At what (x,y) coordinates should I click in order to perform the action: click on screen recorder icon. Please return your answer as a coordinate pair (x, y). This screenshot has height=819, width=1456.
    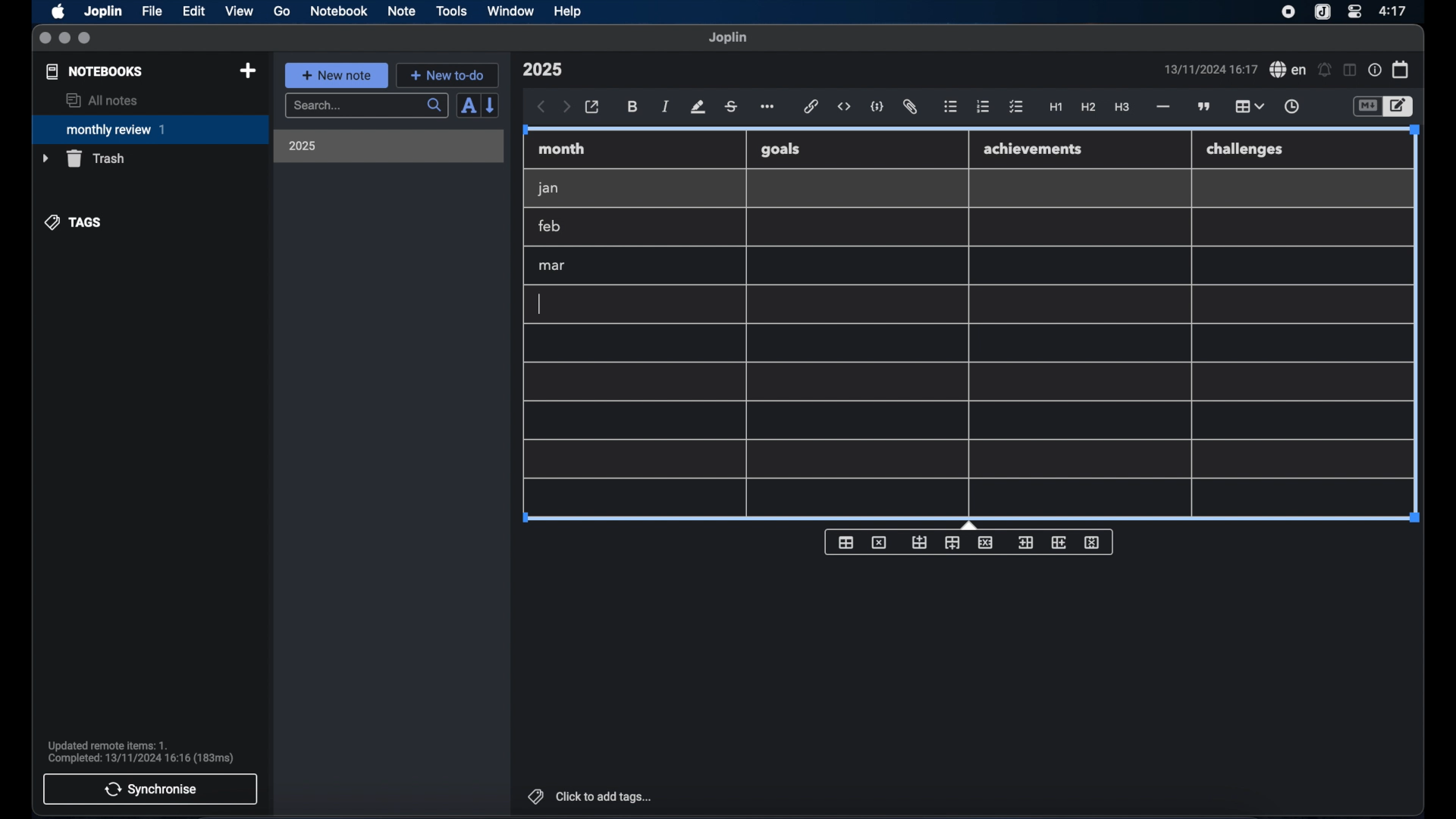
    Looking at the image, I should click on (1288, 12).